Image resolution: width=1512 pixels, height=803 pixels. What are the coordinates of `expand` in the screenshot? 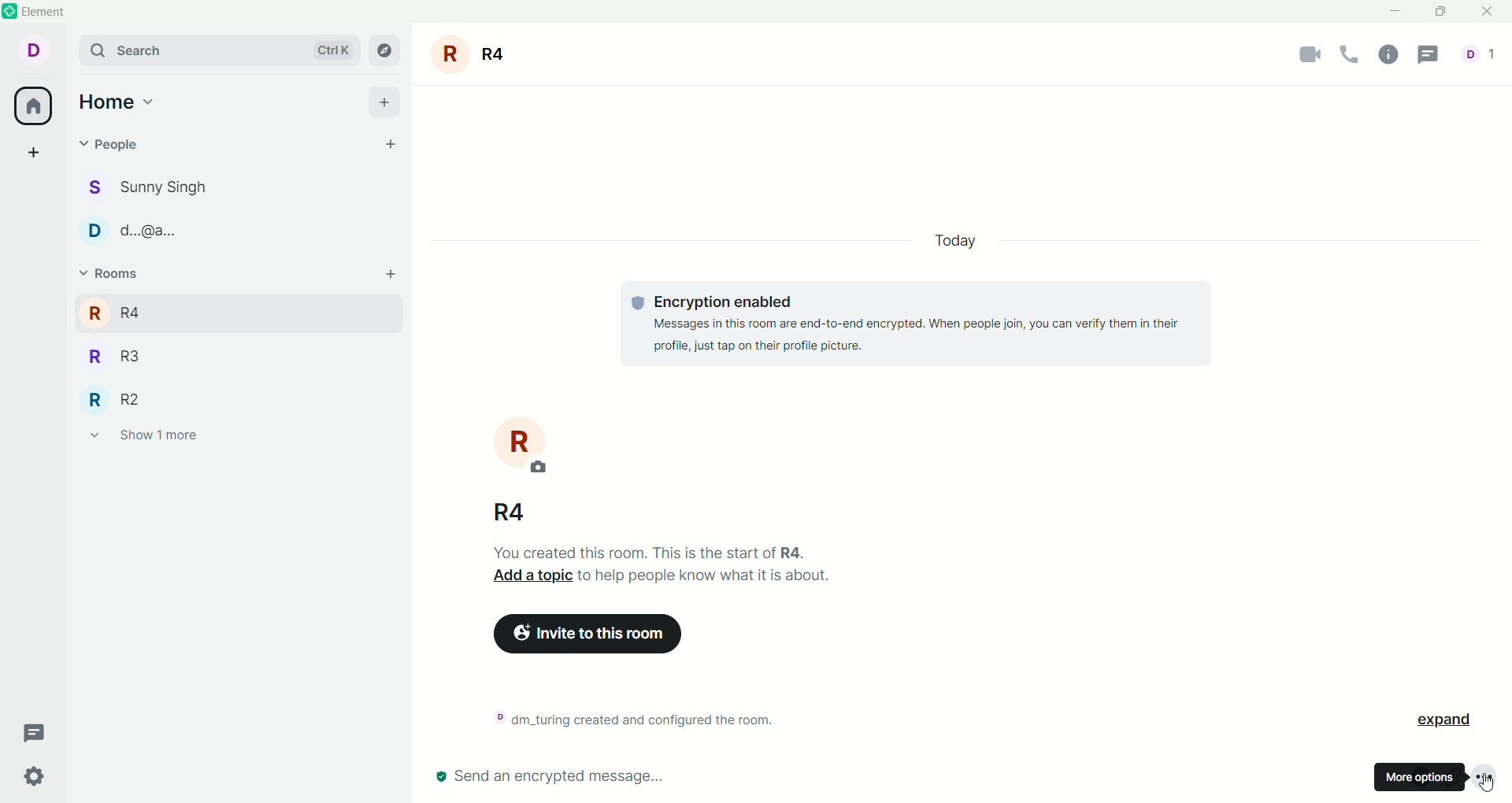 It's located at (1451, 718).